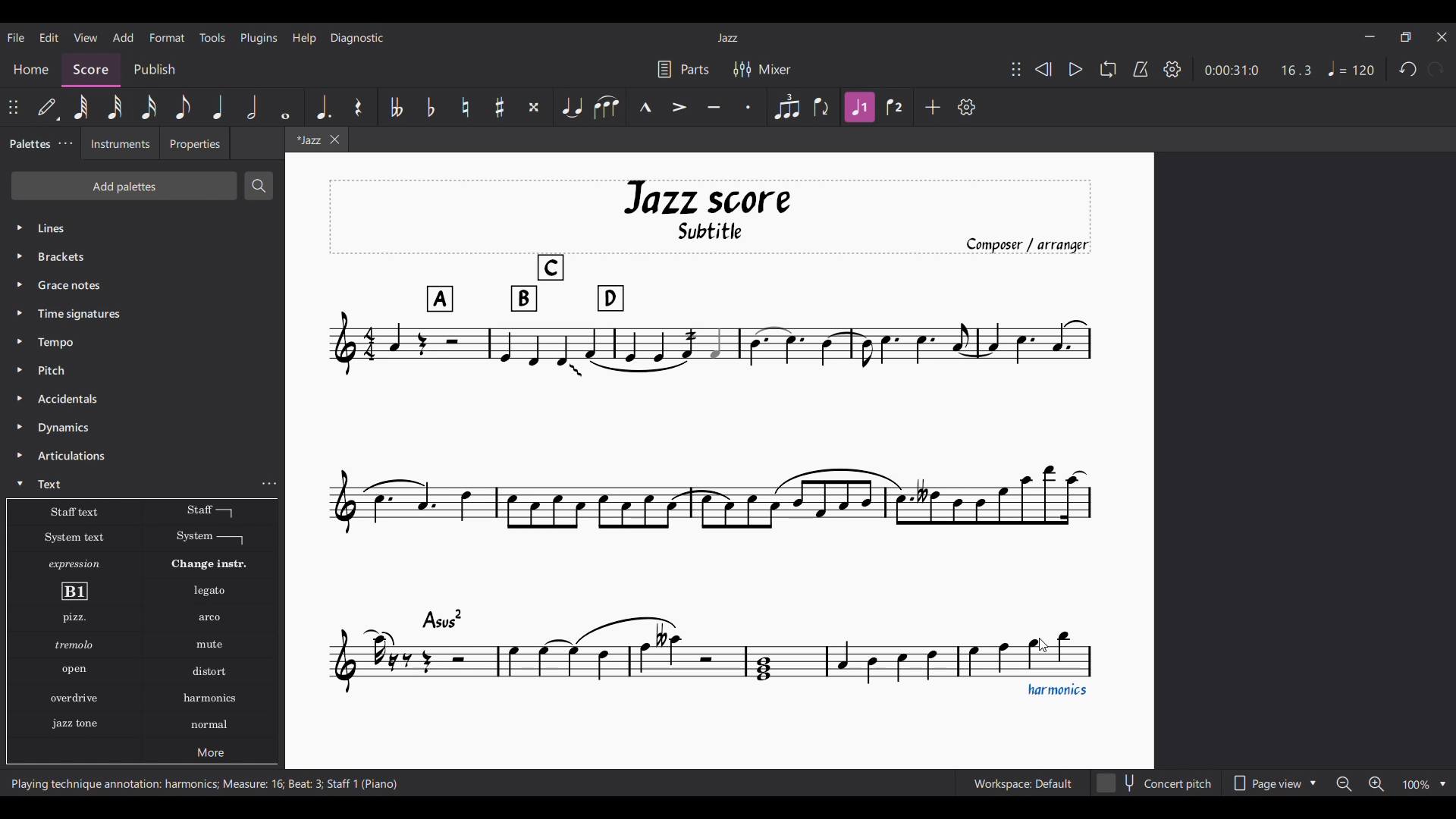 Image resolution: width=1456 pixels, height=819 pixels. I want to click on Music Notes, so click(716, 654).